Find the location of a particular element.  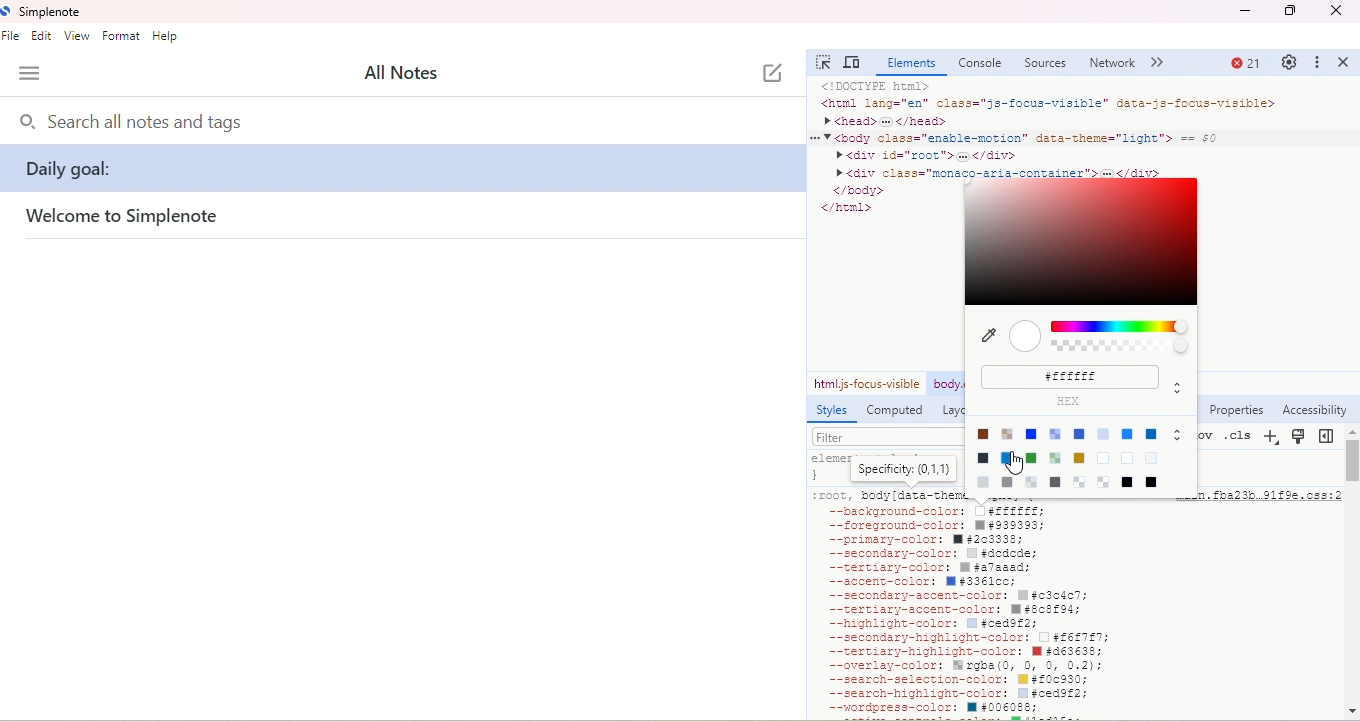

edit is located at coordinates (44, 37).